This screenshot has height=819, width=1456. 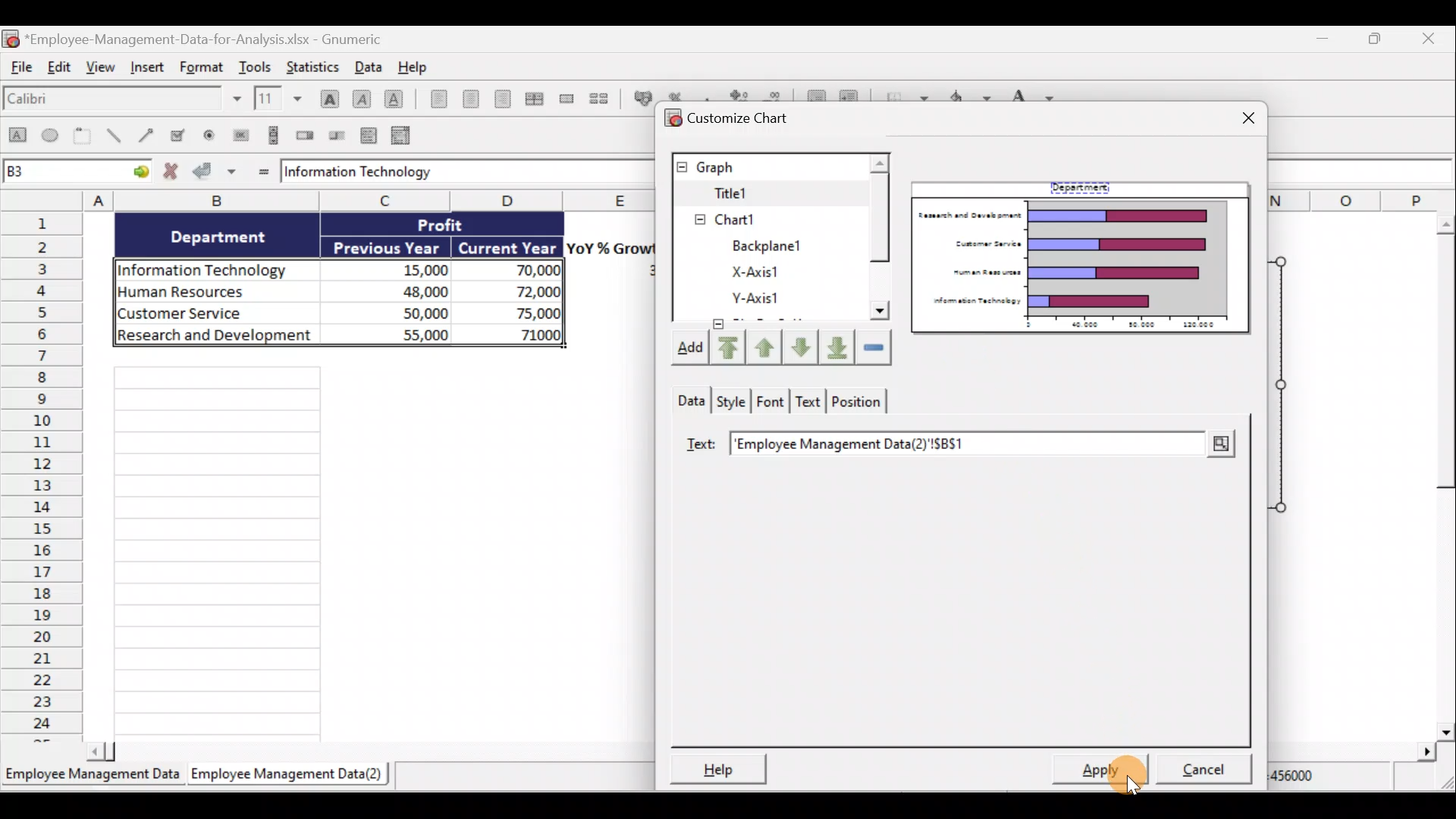 I want to click on Rows, so click(x=42, y=478).